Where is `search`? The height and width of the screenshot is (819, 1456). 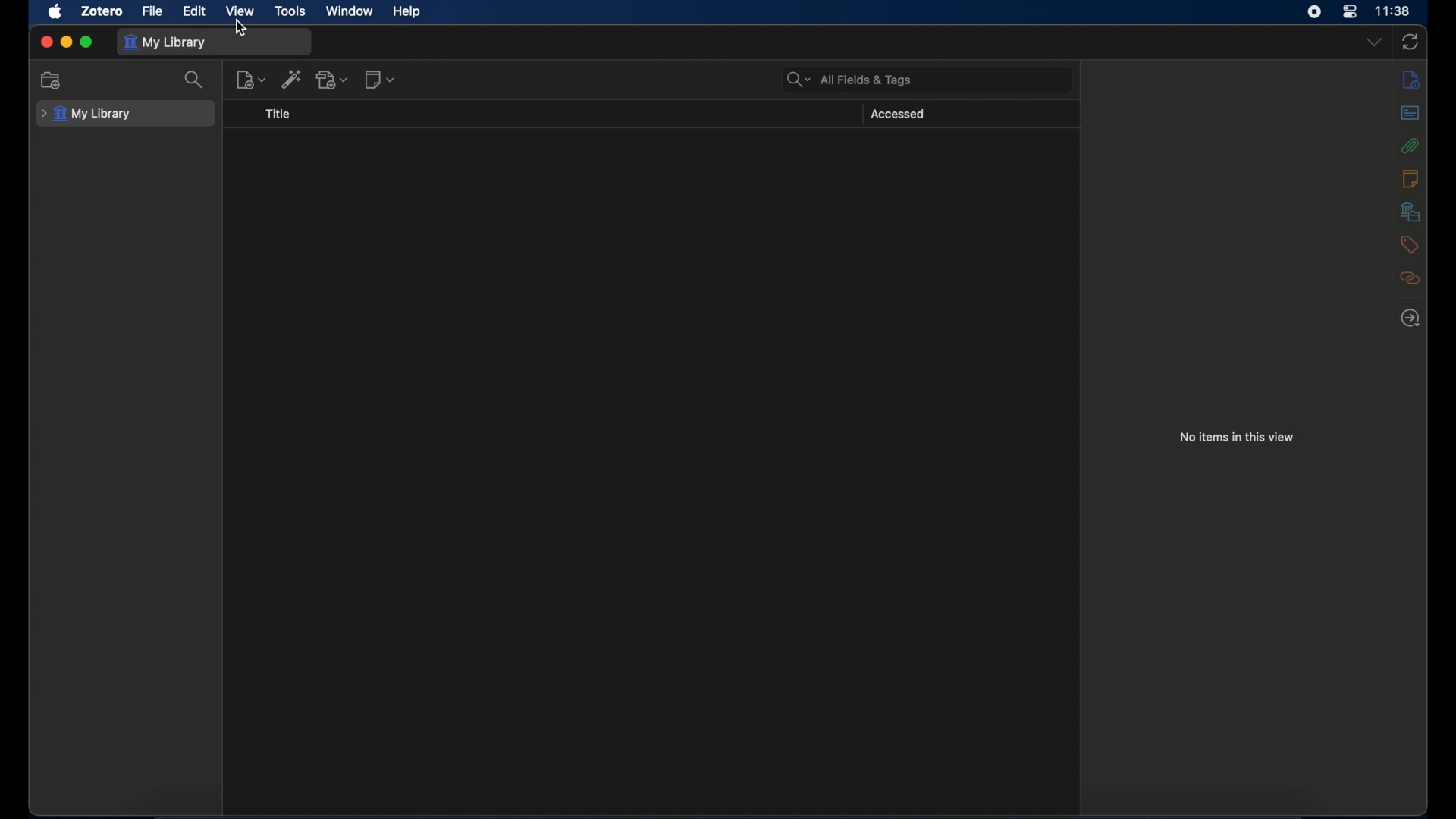 search is located at coordinates (194, 79).